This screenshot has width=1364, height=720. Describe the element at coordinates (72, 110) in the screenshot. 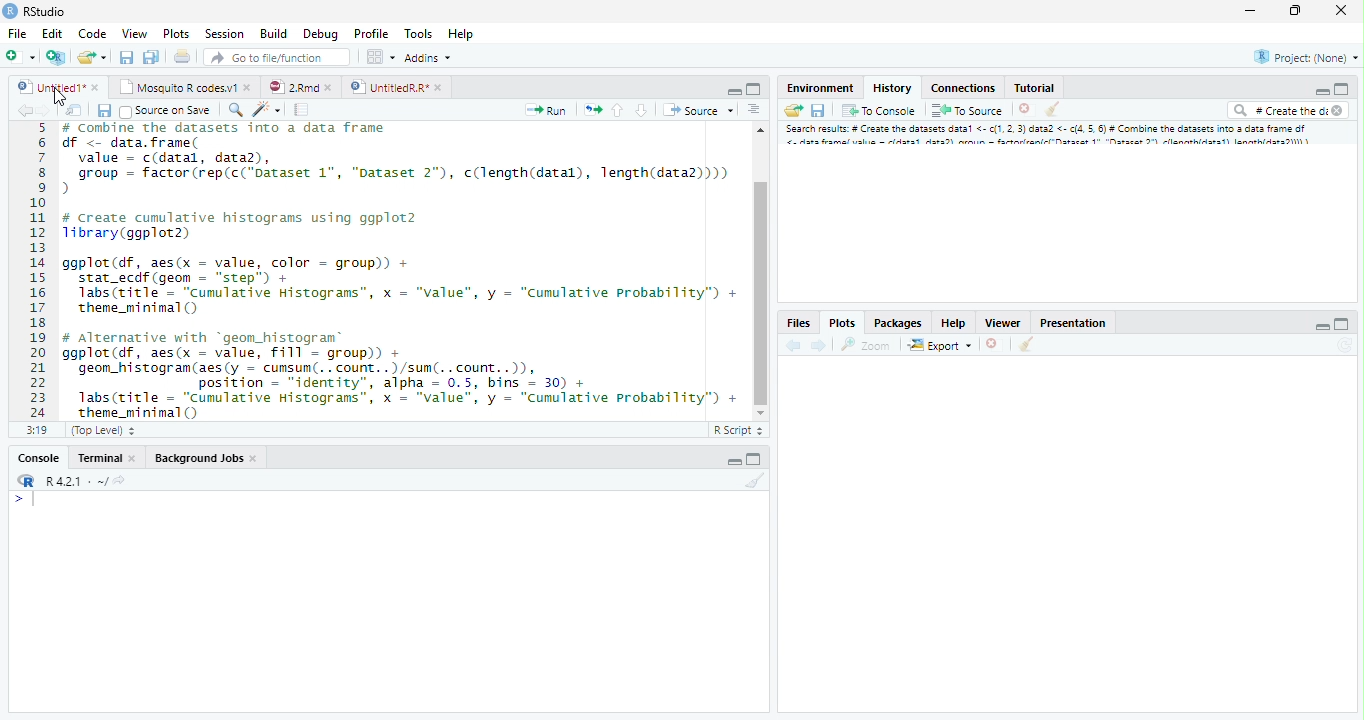

I see `Show in the new window` at that location.